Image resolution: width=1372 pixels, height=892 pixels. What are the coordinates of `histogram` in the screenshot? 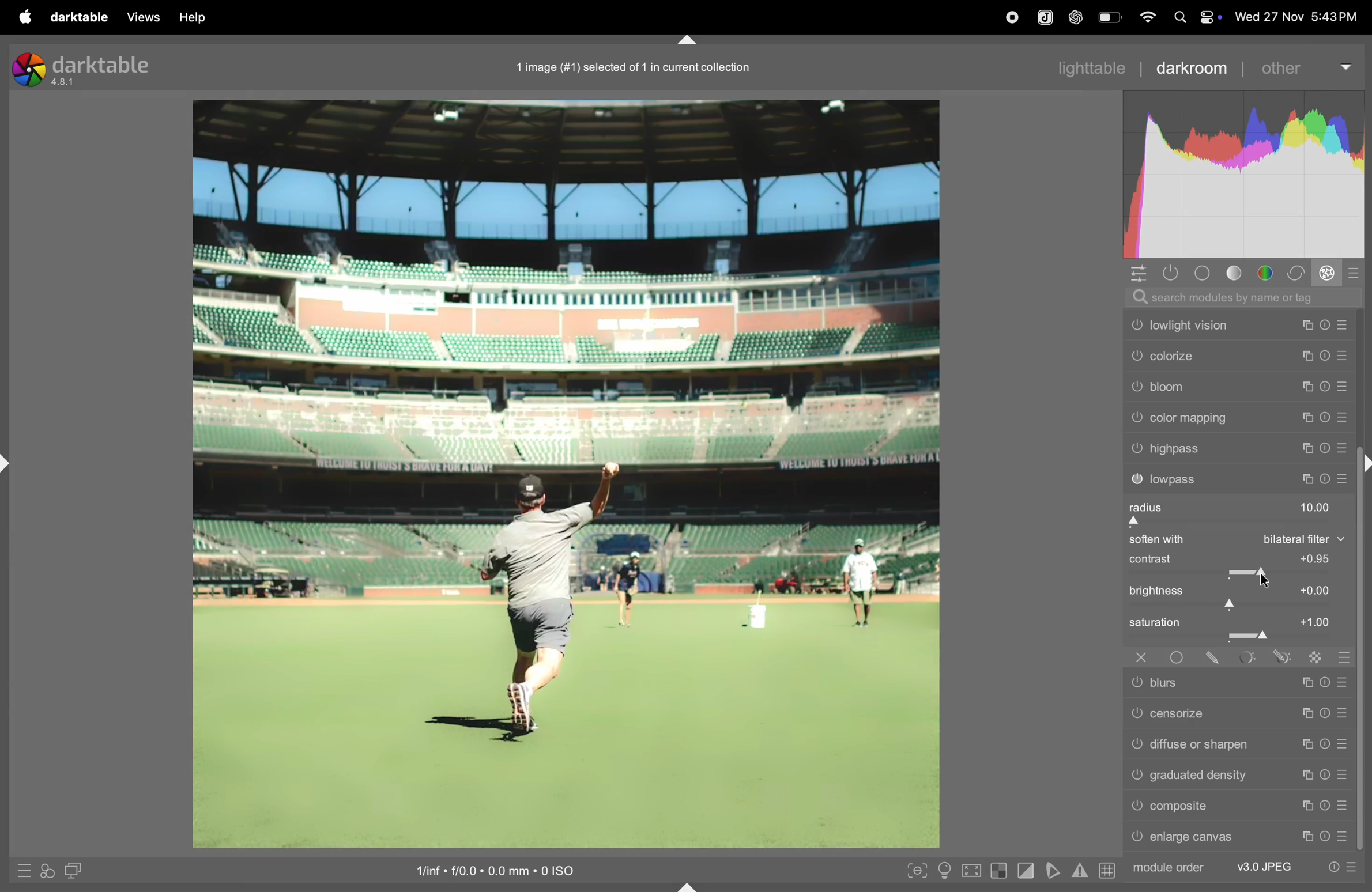 It's located at (1249, 176).